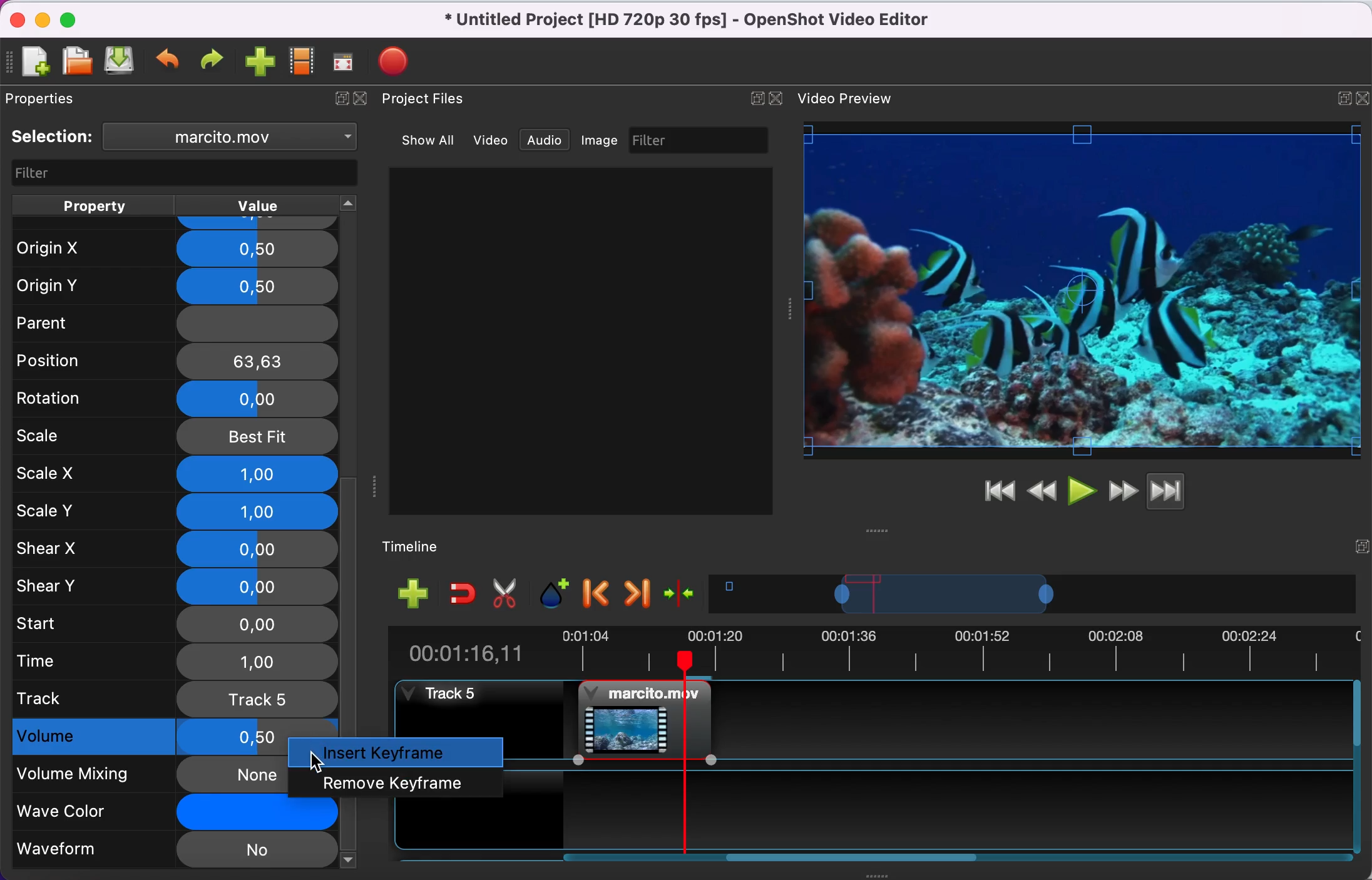  Describe the element at coordinates (76, 18) in the screenshot. I see `maximize` at that location.